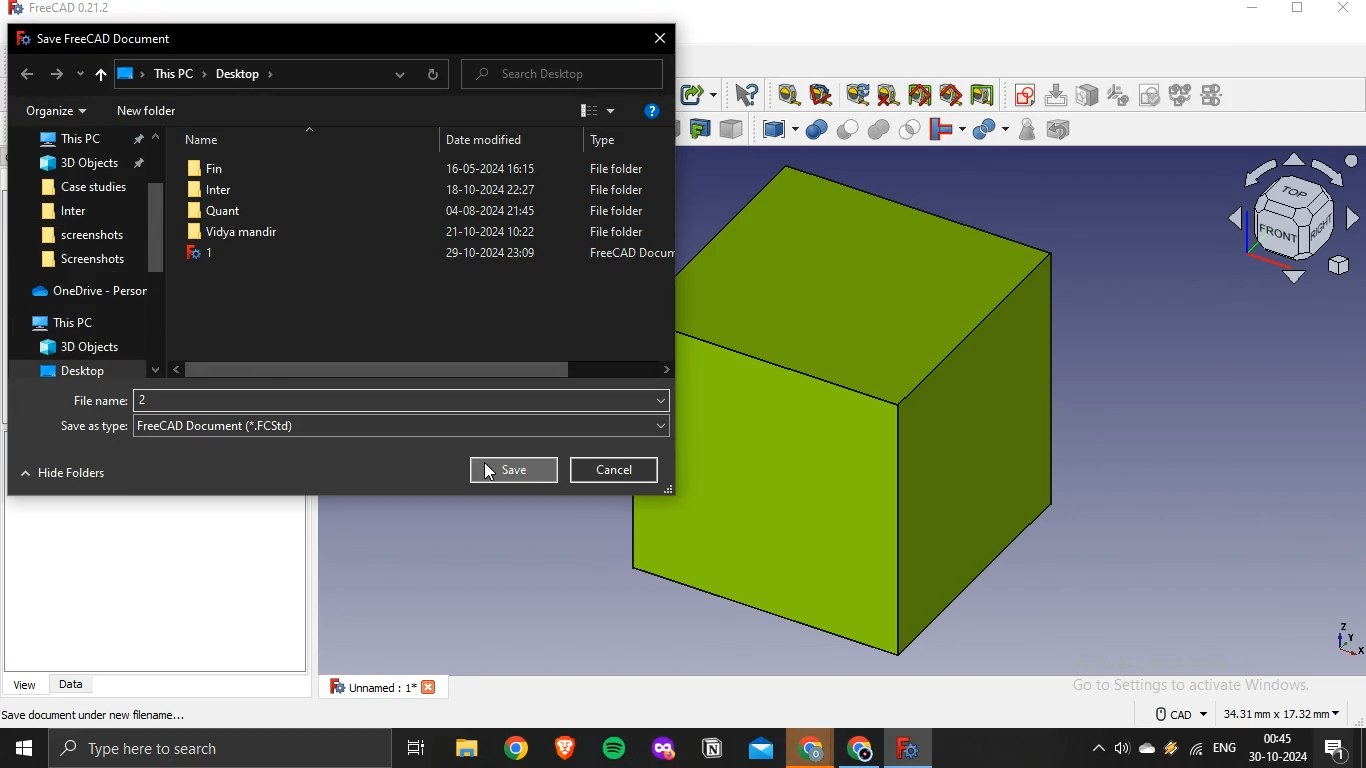  What do you see at coordinates (418, 167) in the screenshot?
I see ` Fin ` at bounding box center [418, 167].